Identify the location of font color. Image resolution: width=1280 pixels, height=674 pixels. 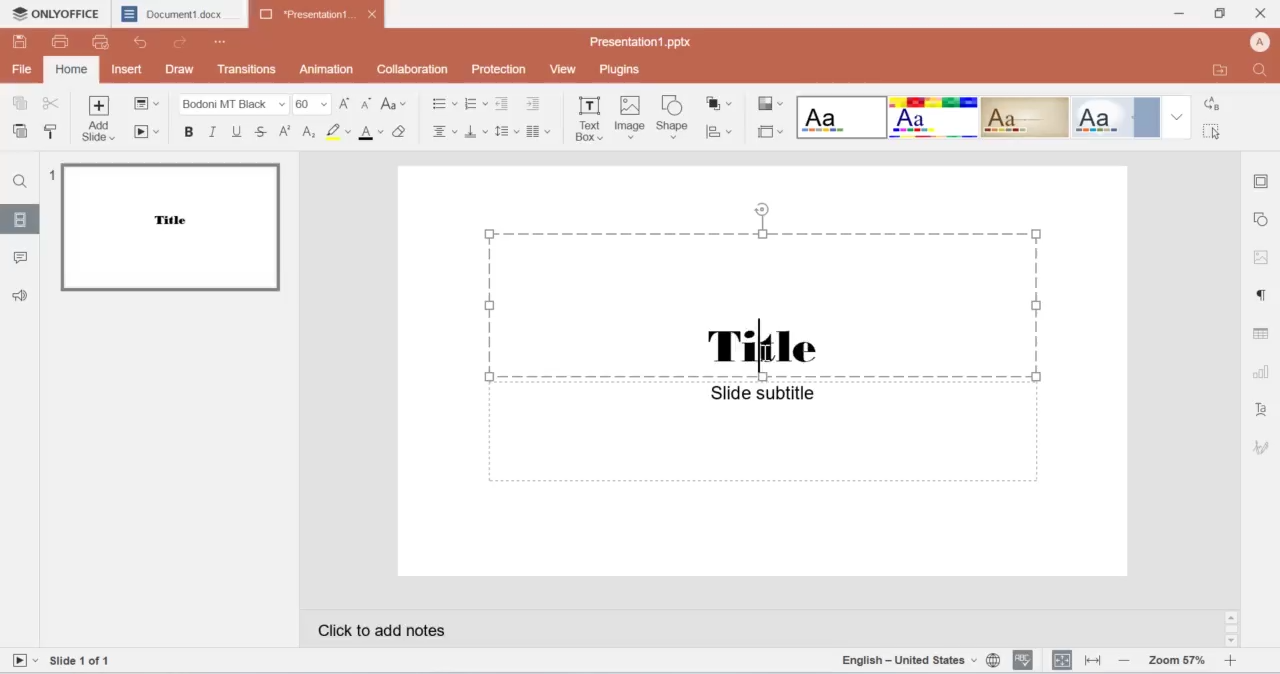
(371, 134).